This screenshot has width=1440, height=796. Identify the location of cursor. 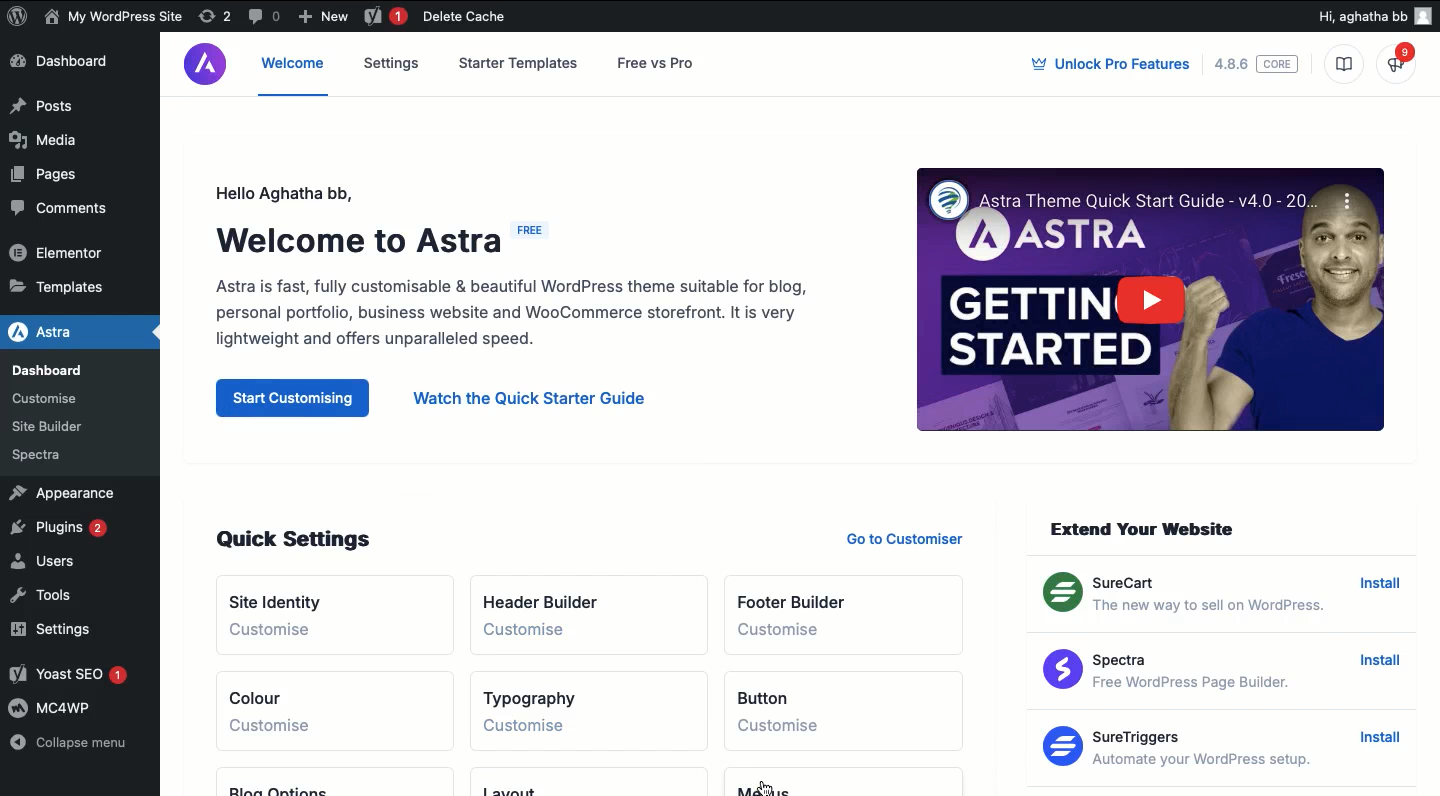
(763, 787).